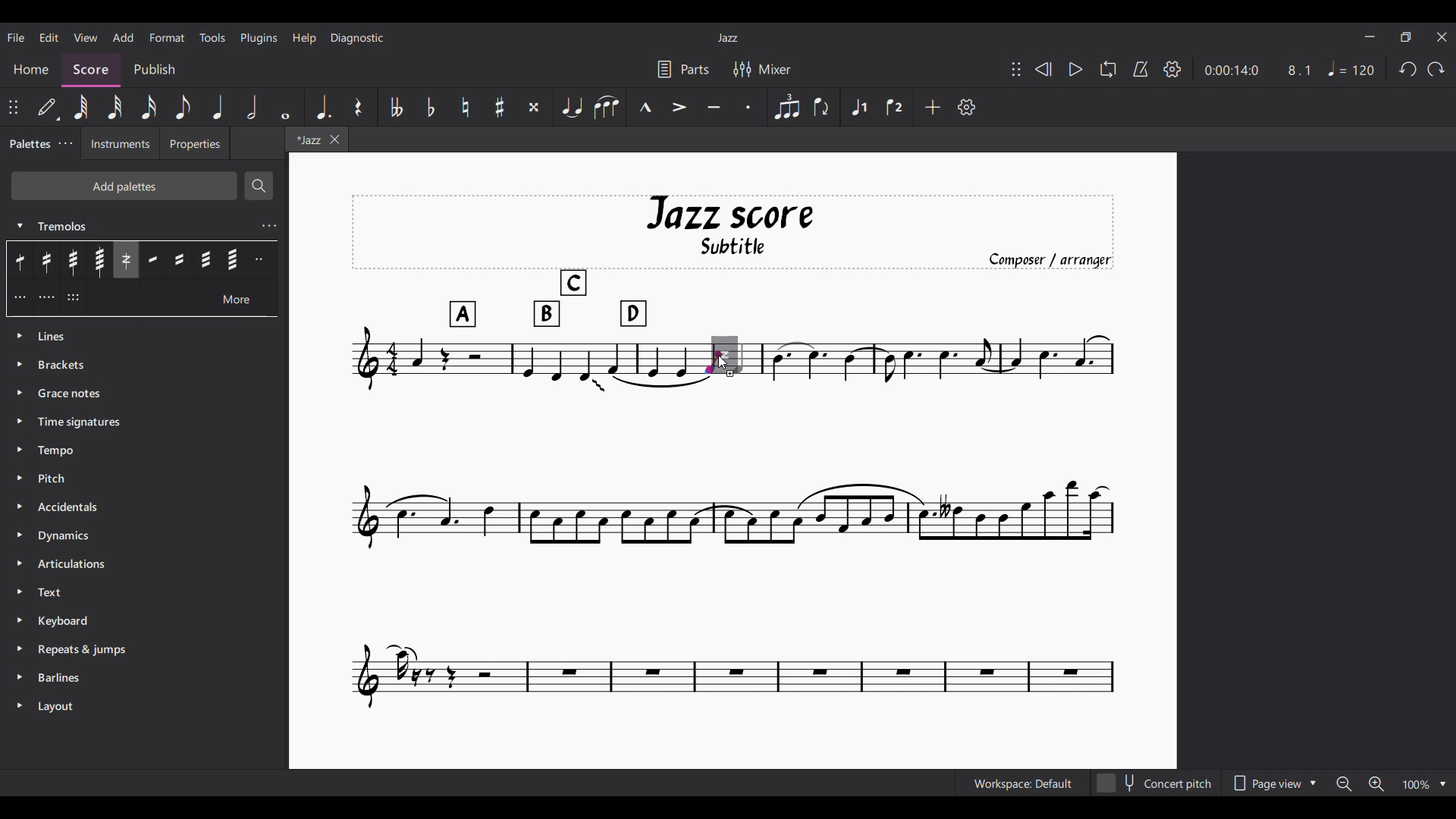 The width and height of the screenshot is (1456, 819). Describe the element at coordinates (80, 107) in the screenshot. I see `64th note` at that location.